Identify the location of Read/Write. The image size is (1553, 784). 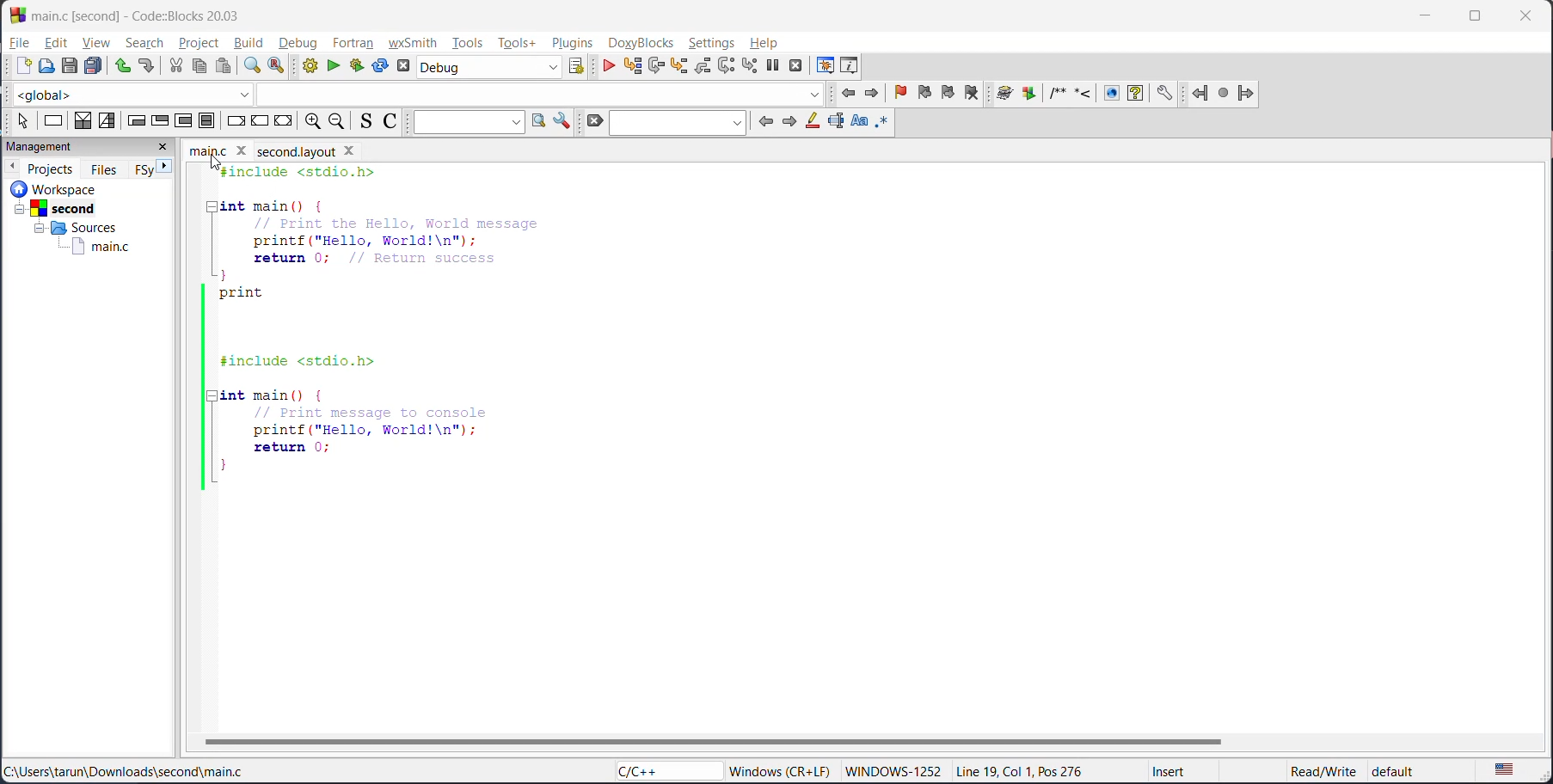
(1321, 769).